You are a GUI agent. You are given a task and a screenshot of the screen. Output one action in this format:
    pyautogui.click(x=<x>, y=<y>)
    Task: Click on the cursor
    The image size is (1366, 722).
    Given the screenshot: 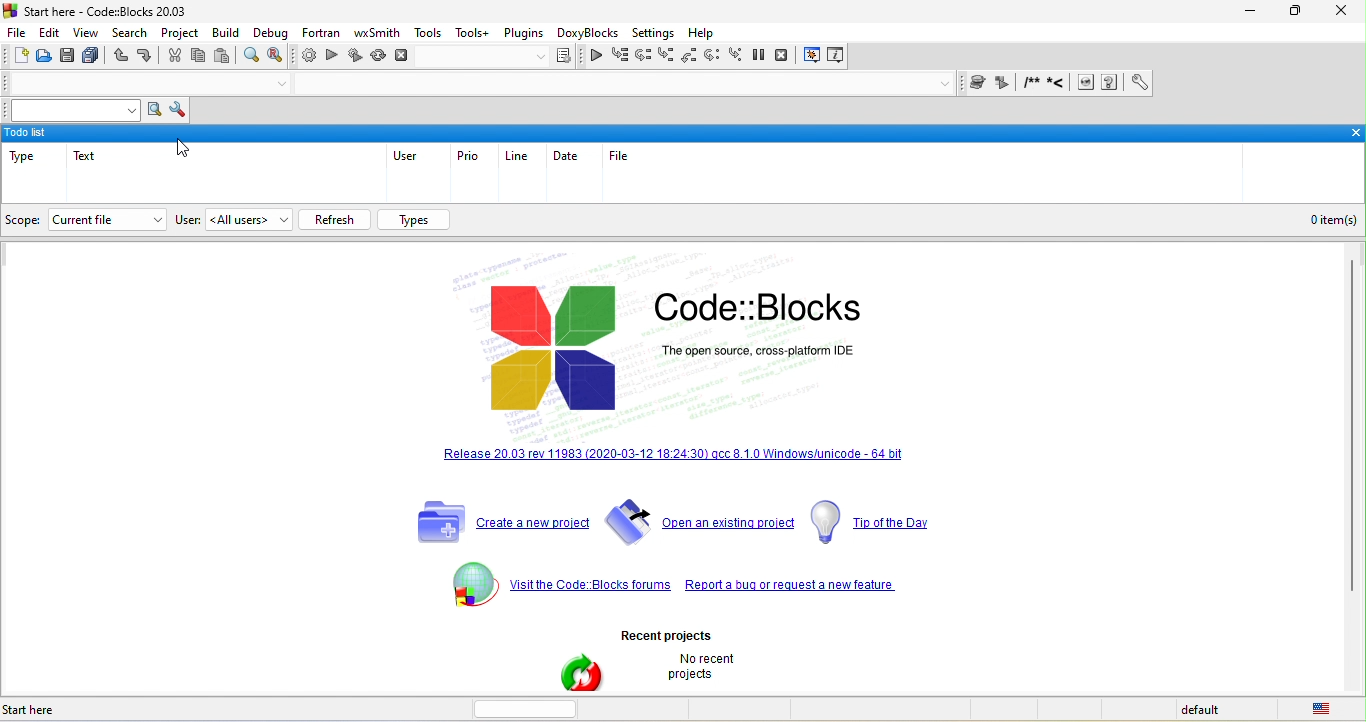 What is the action you would take?
    pyautogui.click(x=187, y=150)
    